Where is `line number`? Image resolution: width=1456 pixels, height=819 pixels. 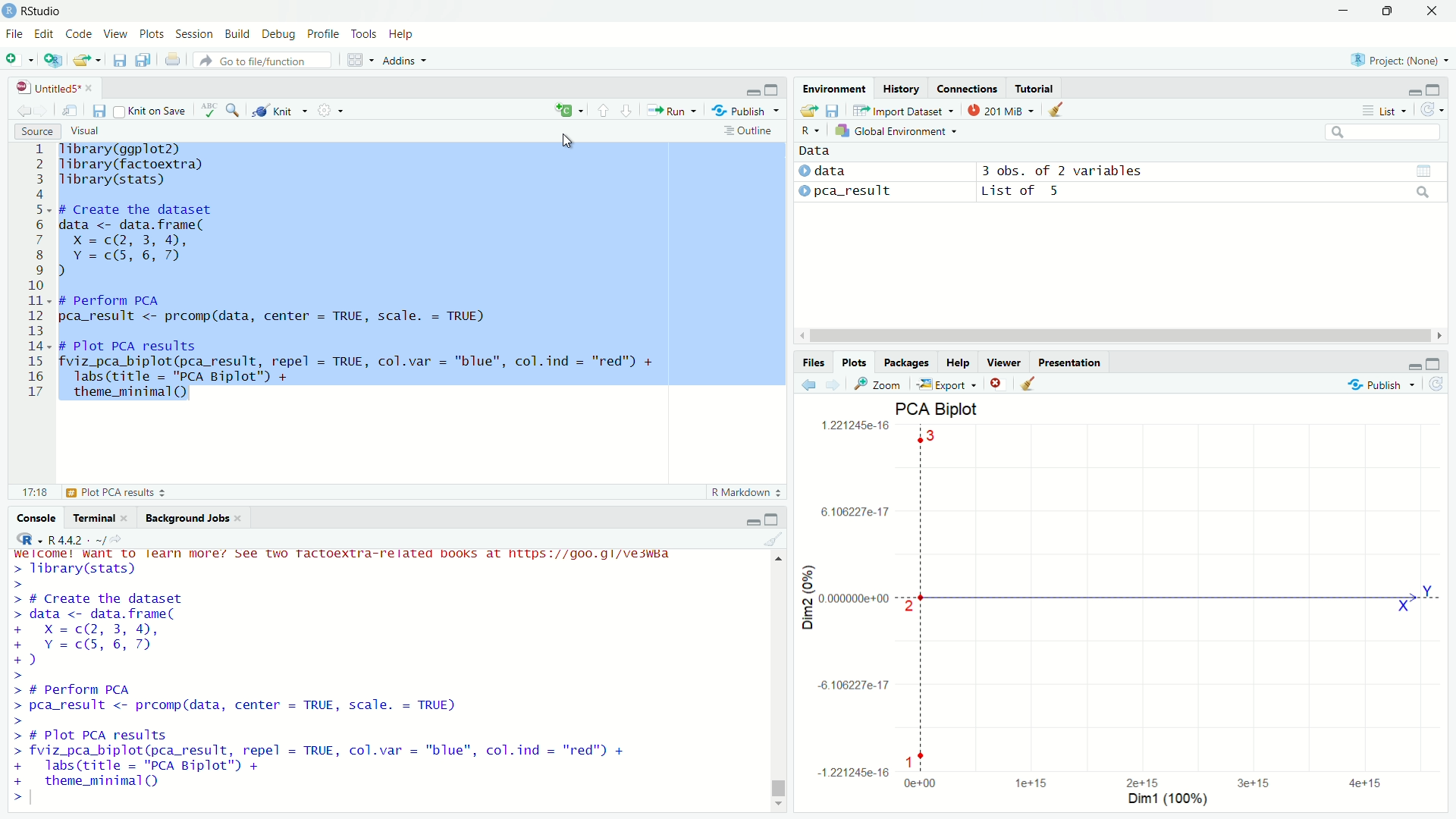
line number is located at coordinates (37, 271).